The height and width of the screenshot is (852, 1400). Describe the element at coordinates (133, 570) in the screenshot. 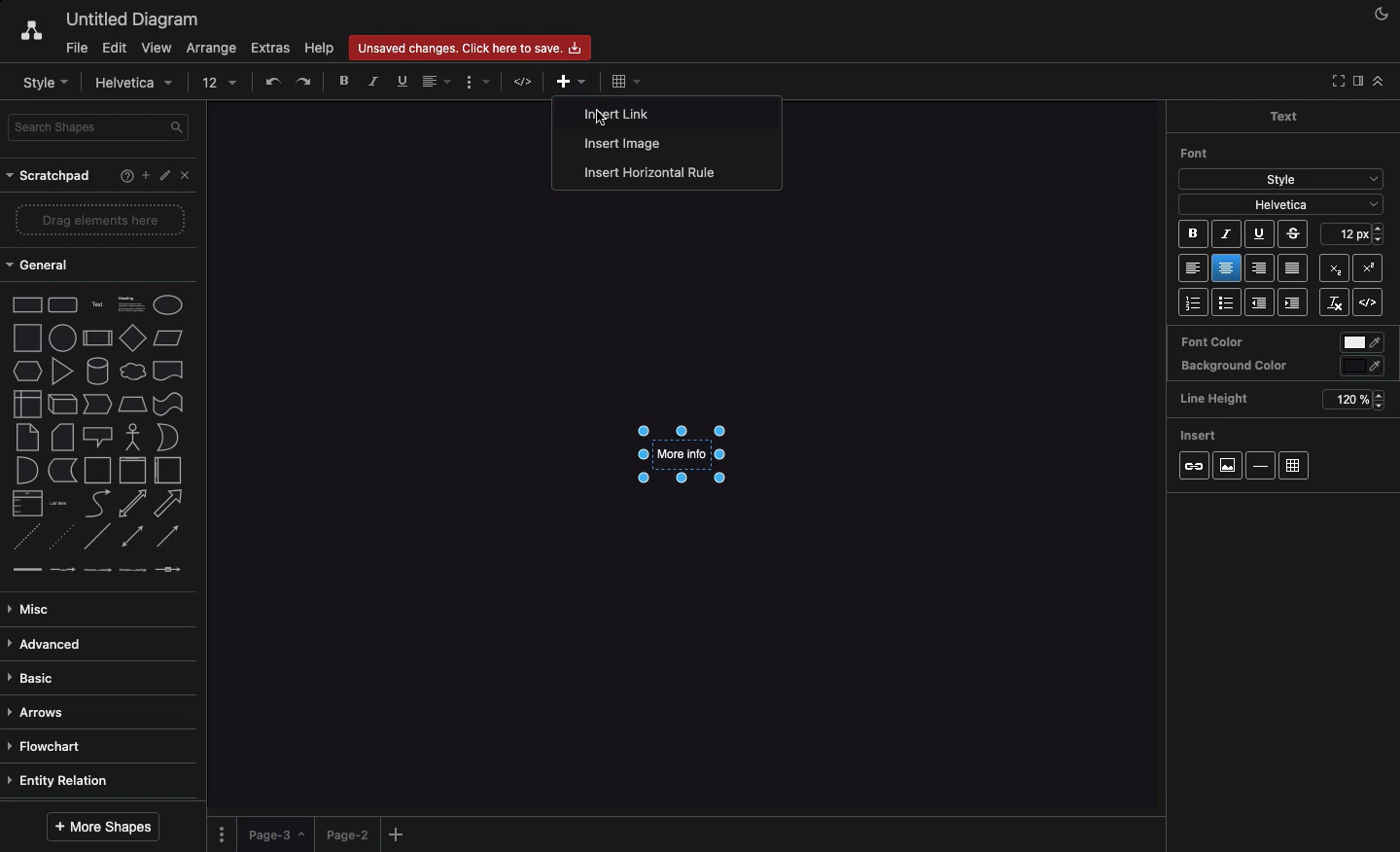

I see `connector with 3 labels` at that location.